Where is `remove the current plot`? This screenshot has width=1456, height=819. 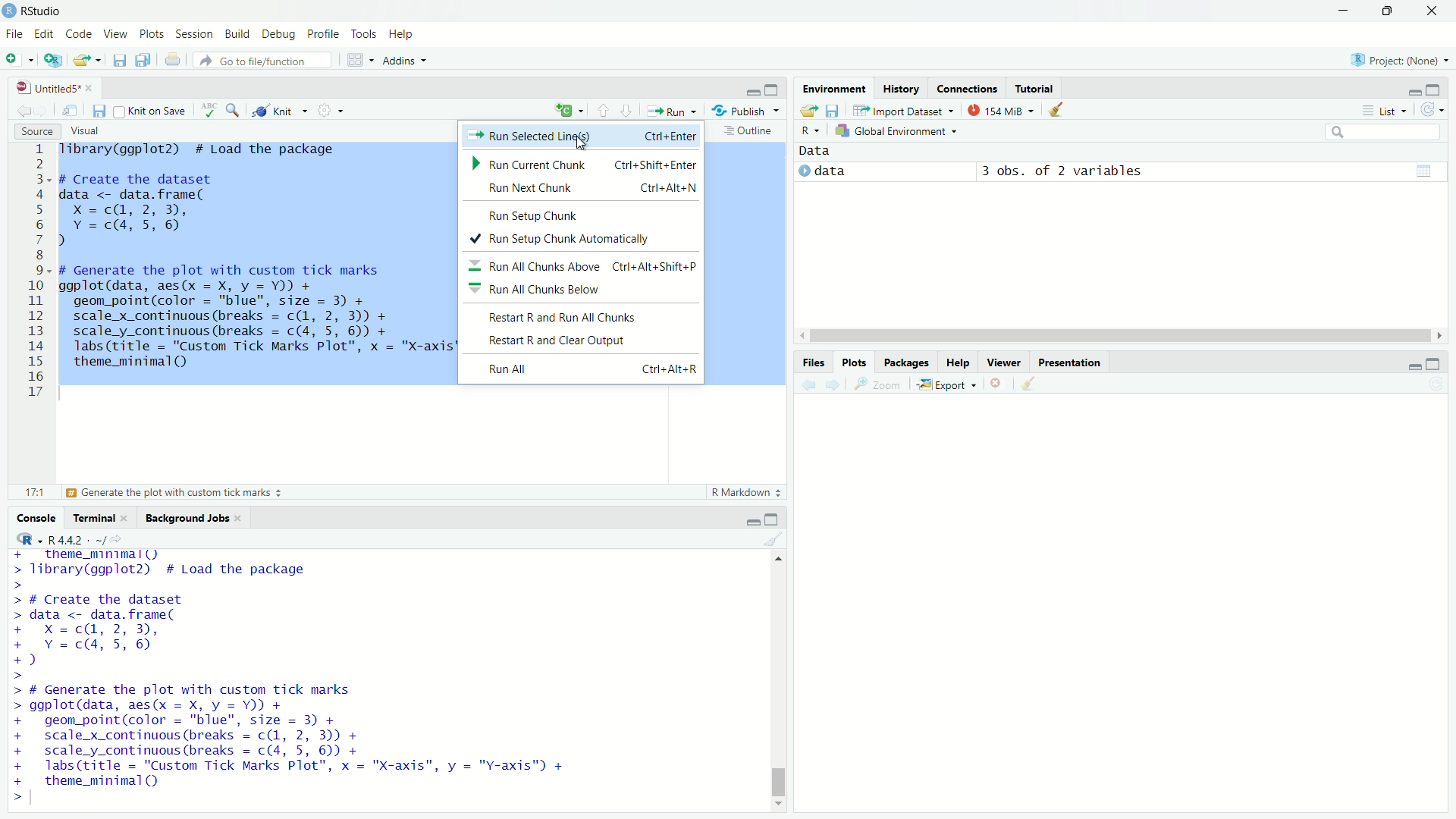
remove the current plot is located at coordinates (998, 384).